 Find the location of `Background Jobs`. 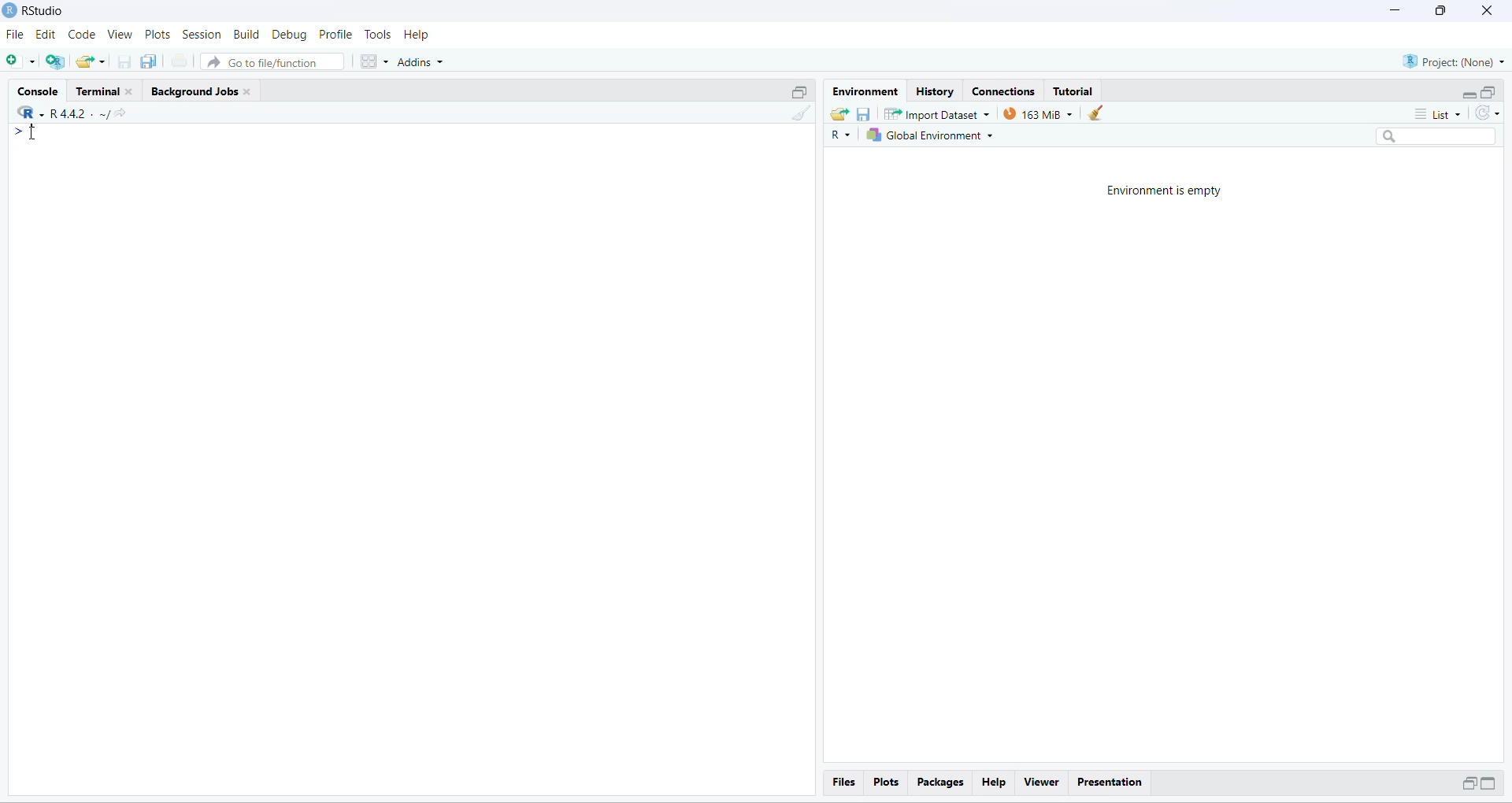

Background Jobs is located at coordinates (205, 90).